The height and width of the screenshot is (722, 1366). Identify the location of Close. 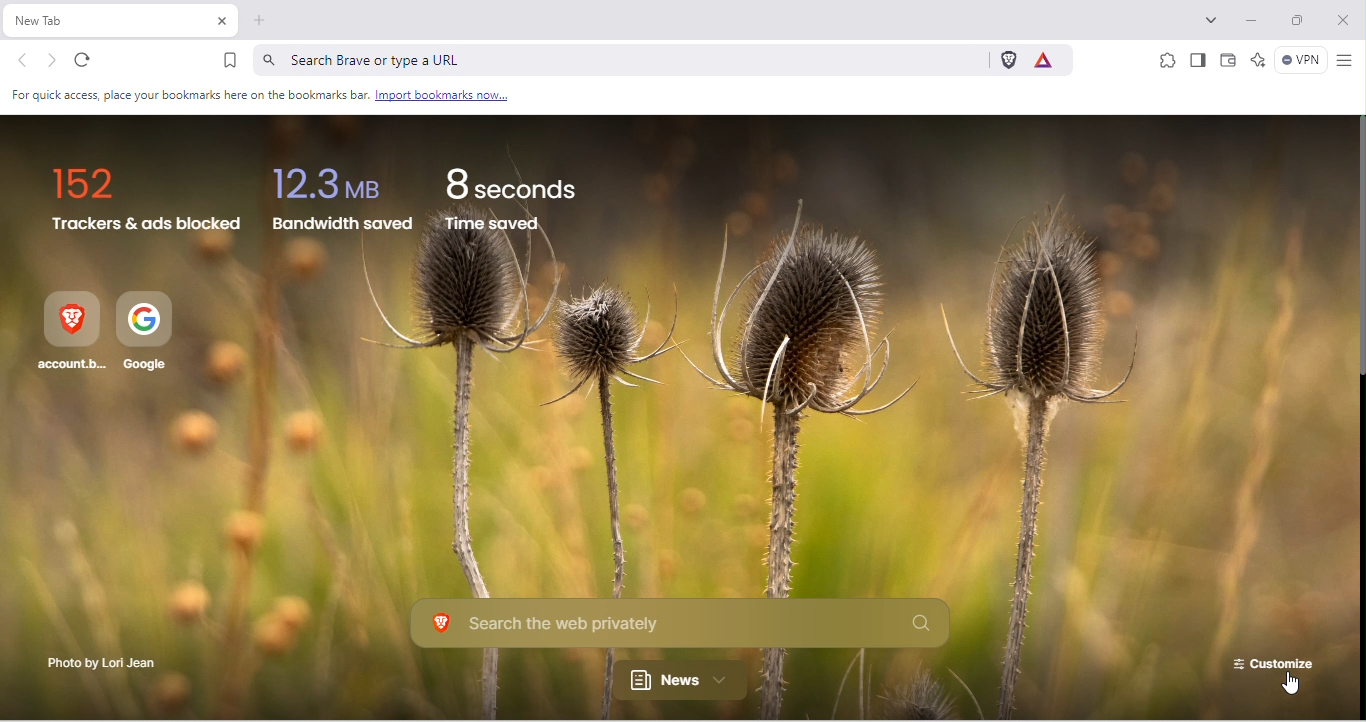
(1345, 20).